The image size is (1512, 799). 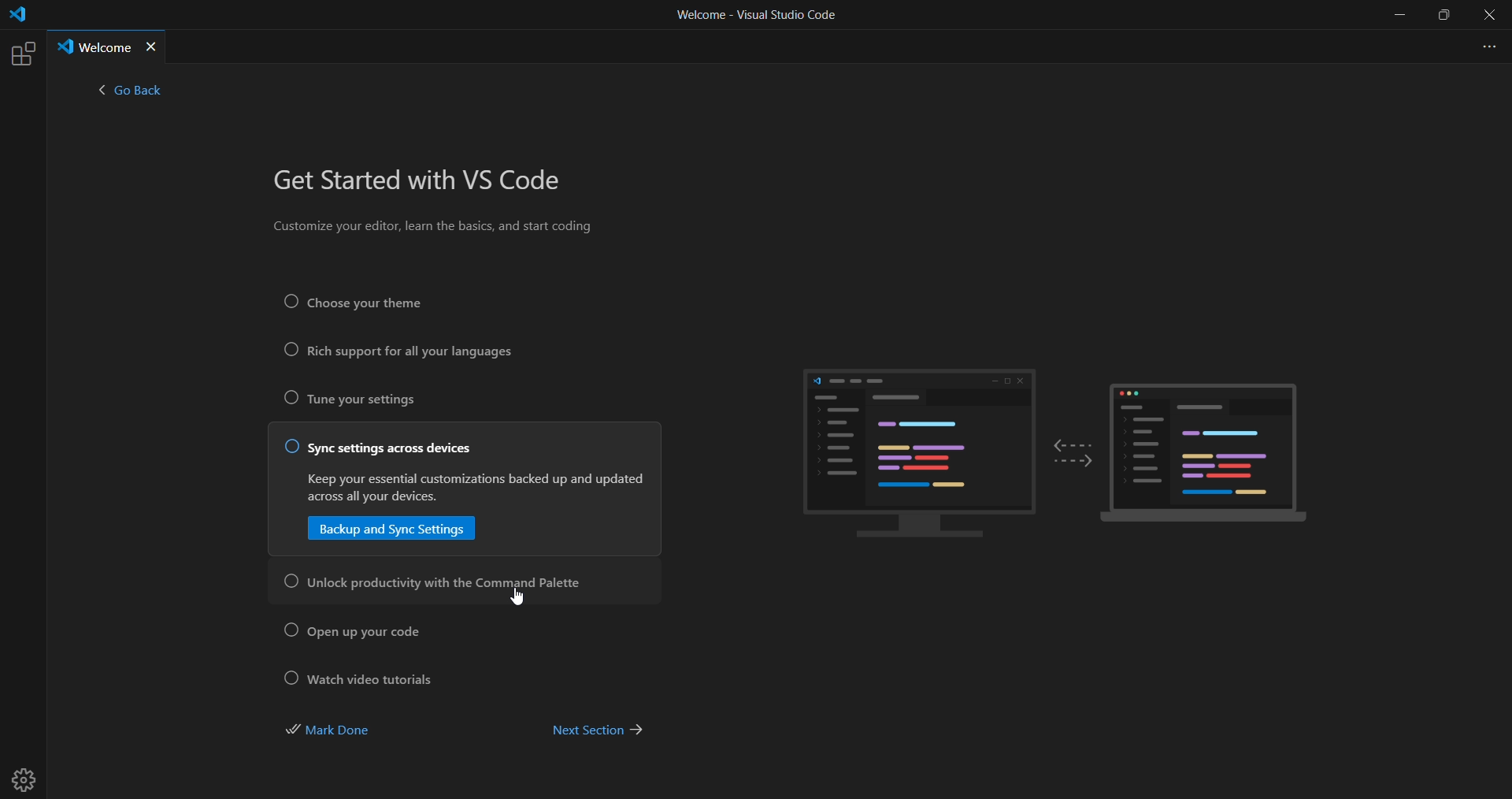 I want to click on < go back, so click(x=130, y=94).